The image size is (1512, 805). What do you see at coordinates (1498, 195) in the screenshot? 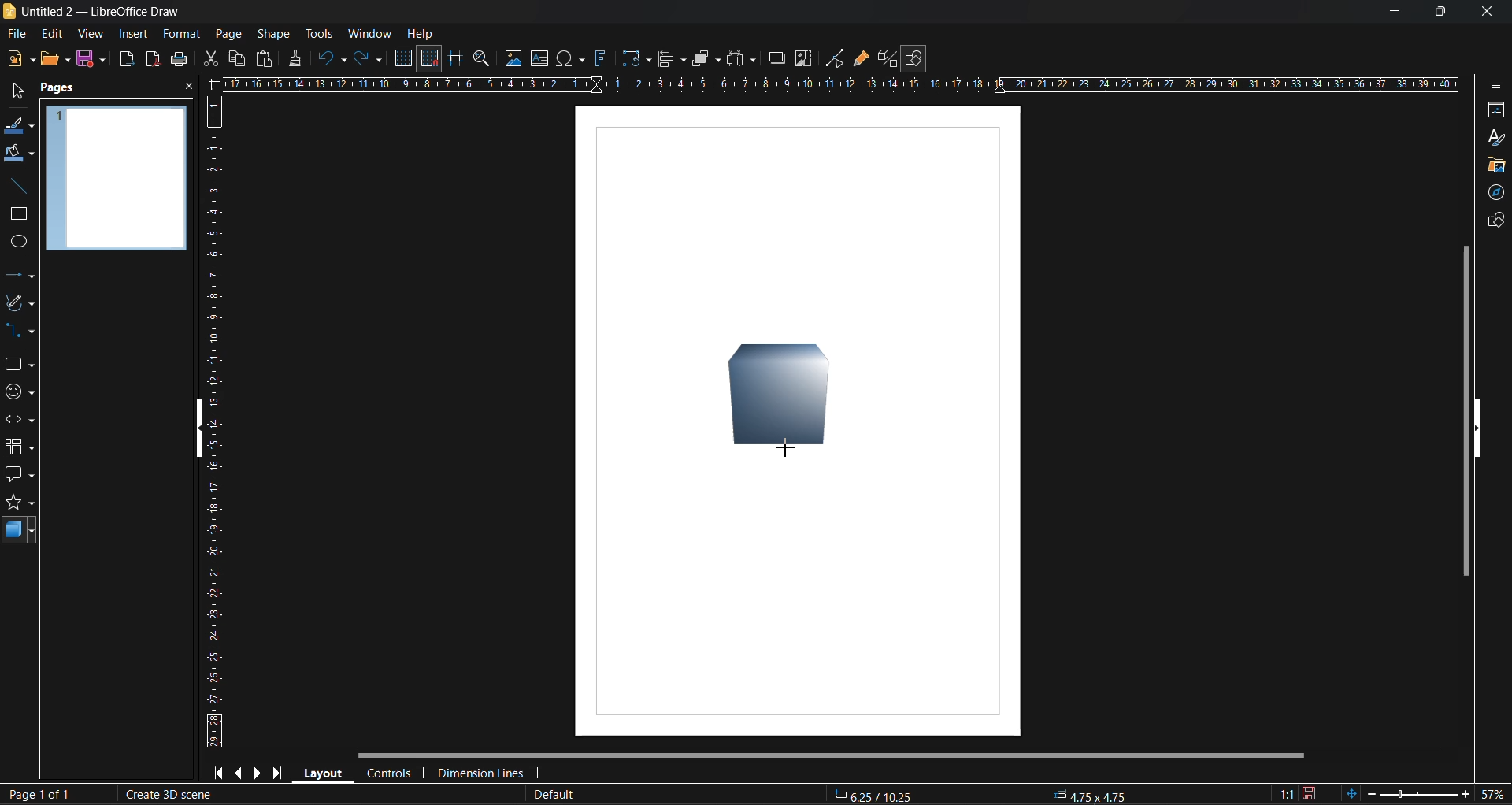
I see `navigator` at bounding box center [1498, 195].